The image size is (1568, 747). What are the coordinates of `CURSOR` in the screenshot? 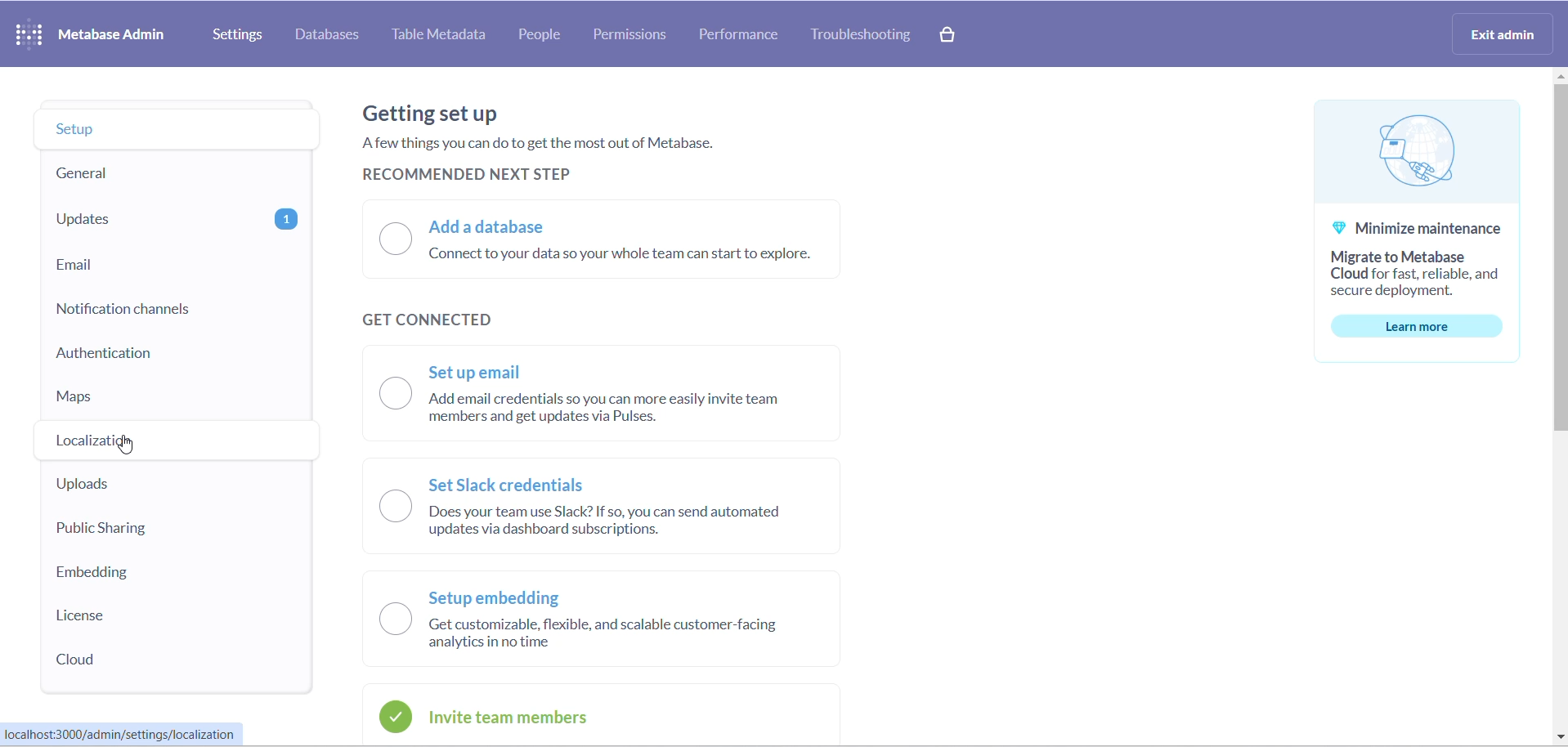 It's located at (127, 446).